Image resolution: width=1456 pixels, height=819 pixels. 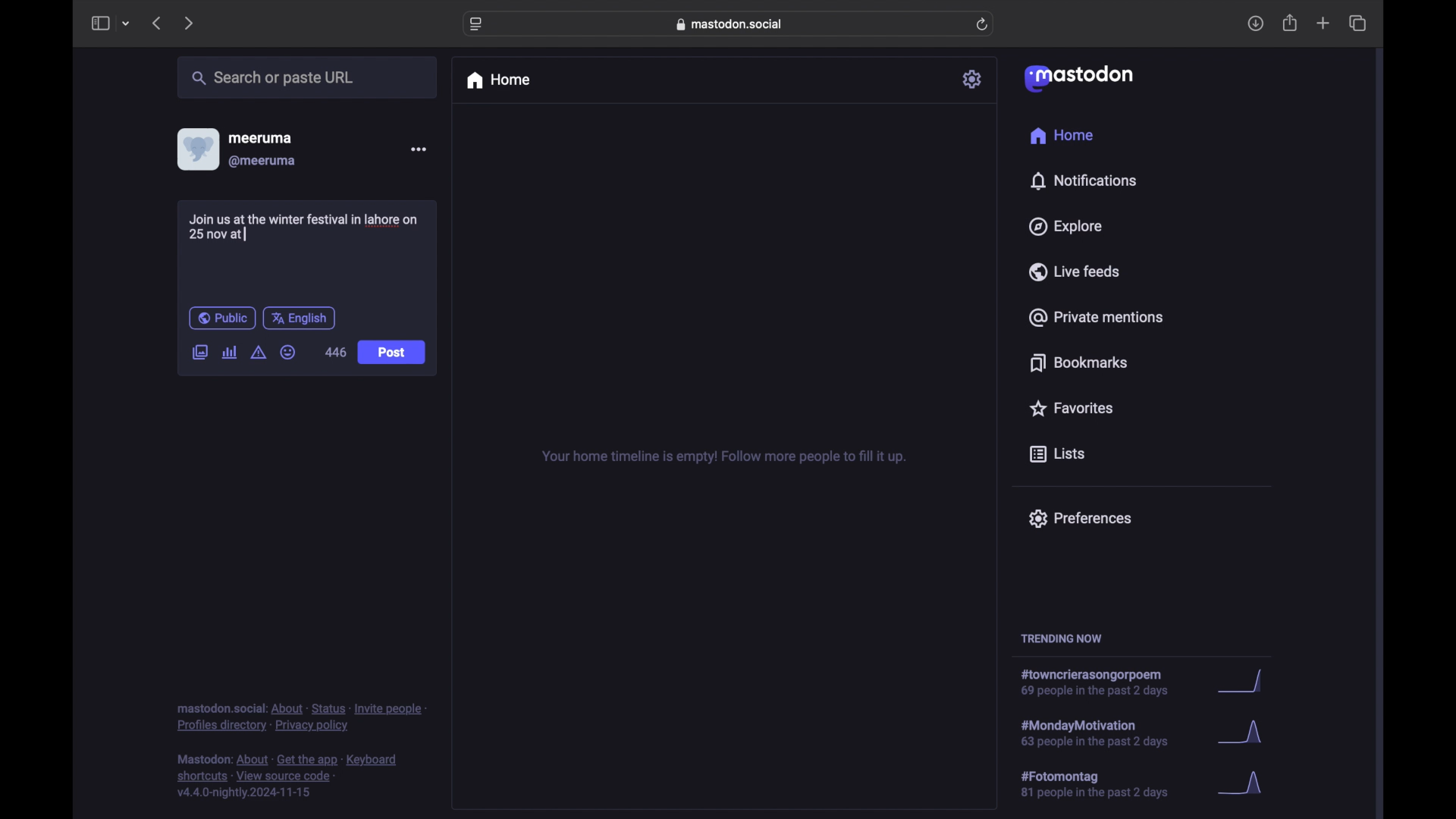 What do you see at coordinates (1075, 271) in the screenshot?
I see `live feeds` at bounding box center [1075, 271].